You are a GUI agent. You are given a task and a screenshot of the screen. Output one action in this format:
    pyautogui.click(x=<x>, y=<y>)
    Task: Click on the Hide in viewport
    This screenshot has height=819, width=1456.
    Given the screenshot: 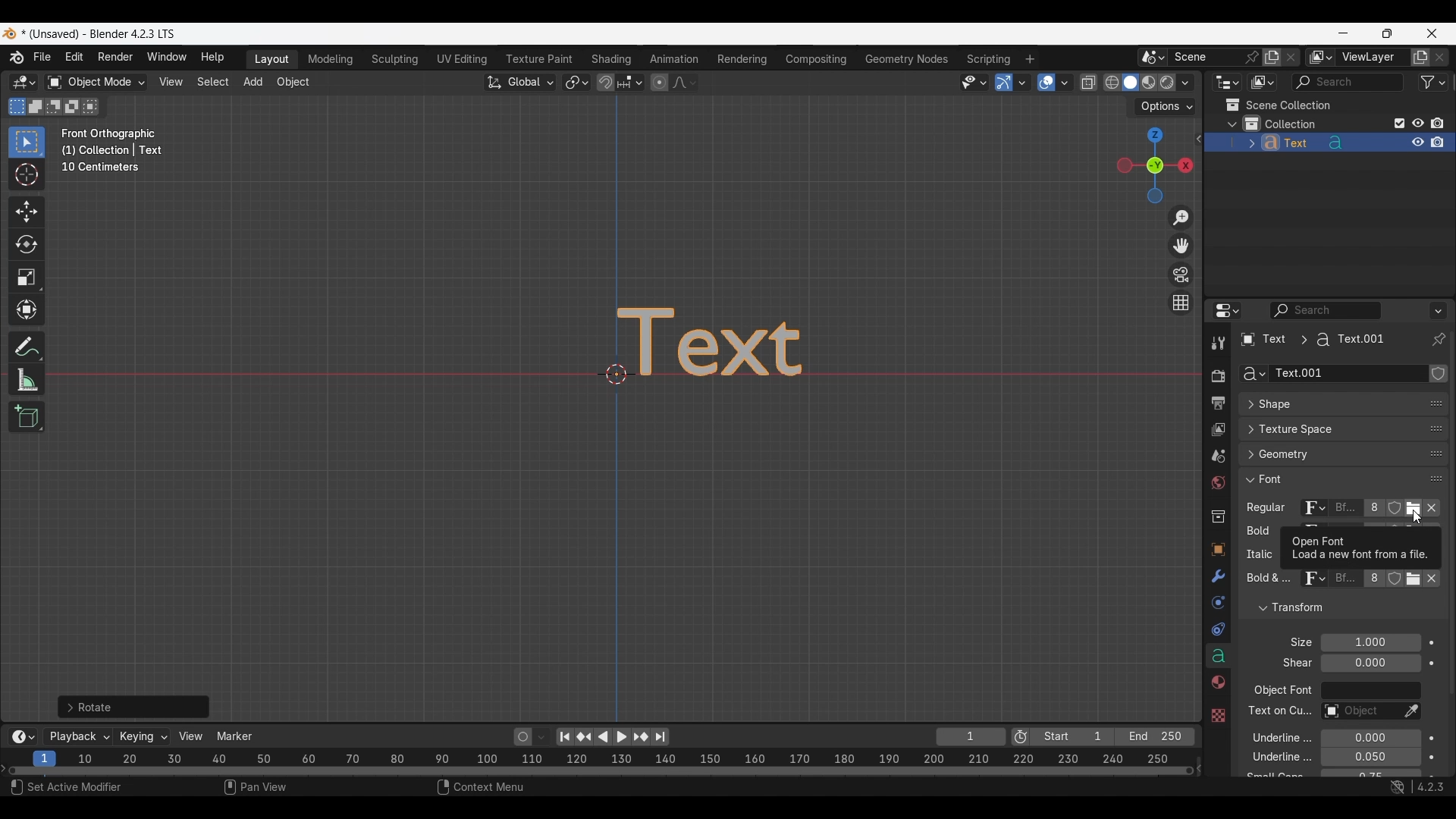 What is the action you would take?
    pyautogui.click(x=1417, y=123)
    